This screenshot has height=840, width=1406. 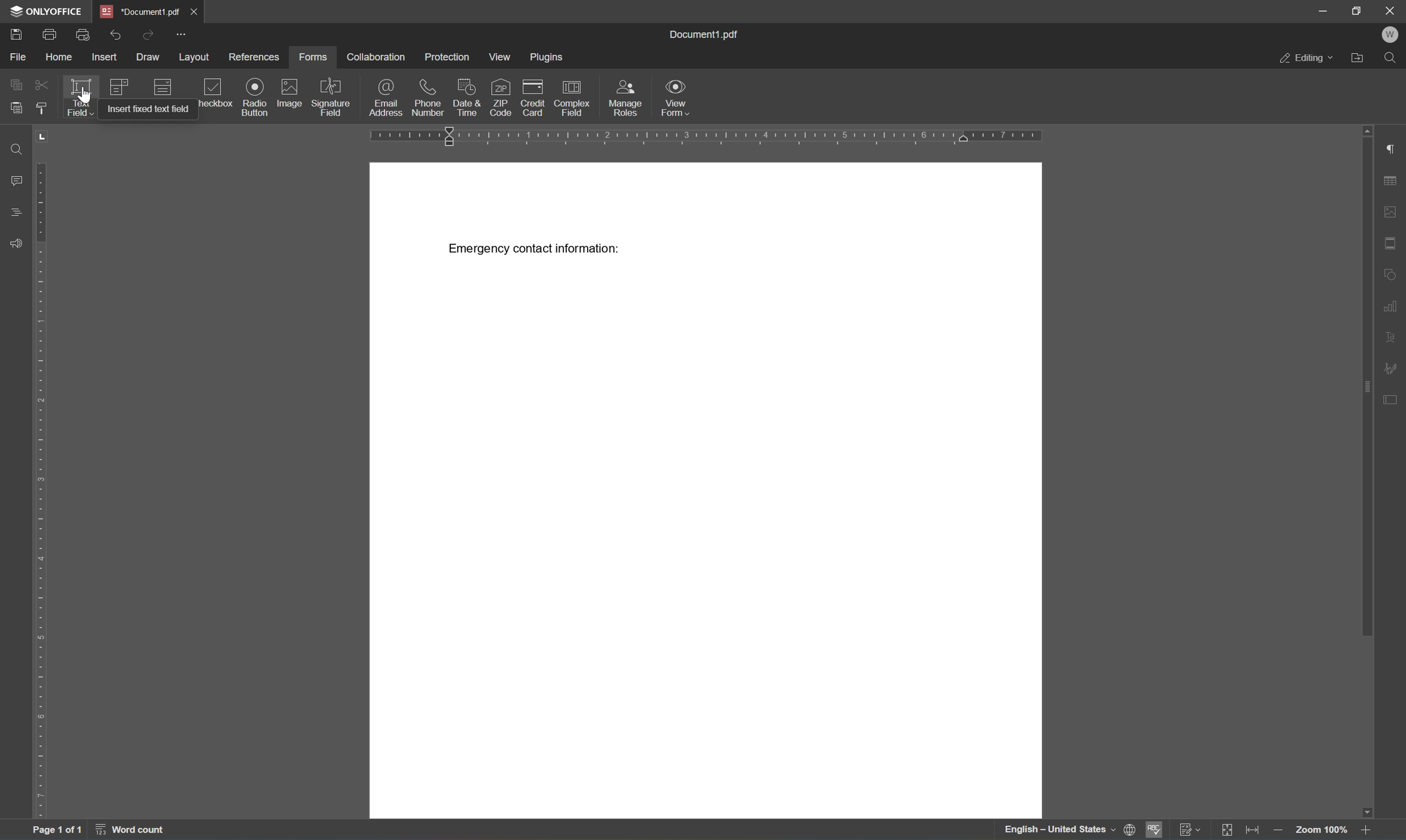 I want to click on spell checking, so click(x=1155, y=830).